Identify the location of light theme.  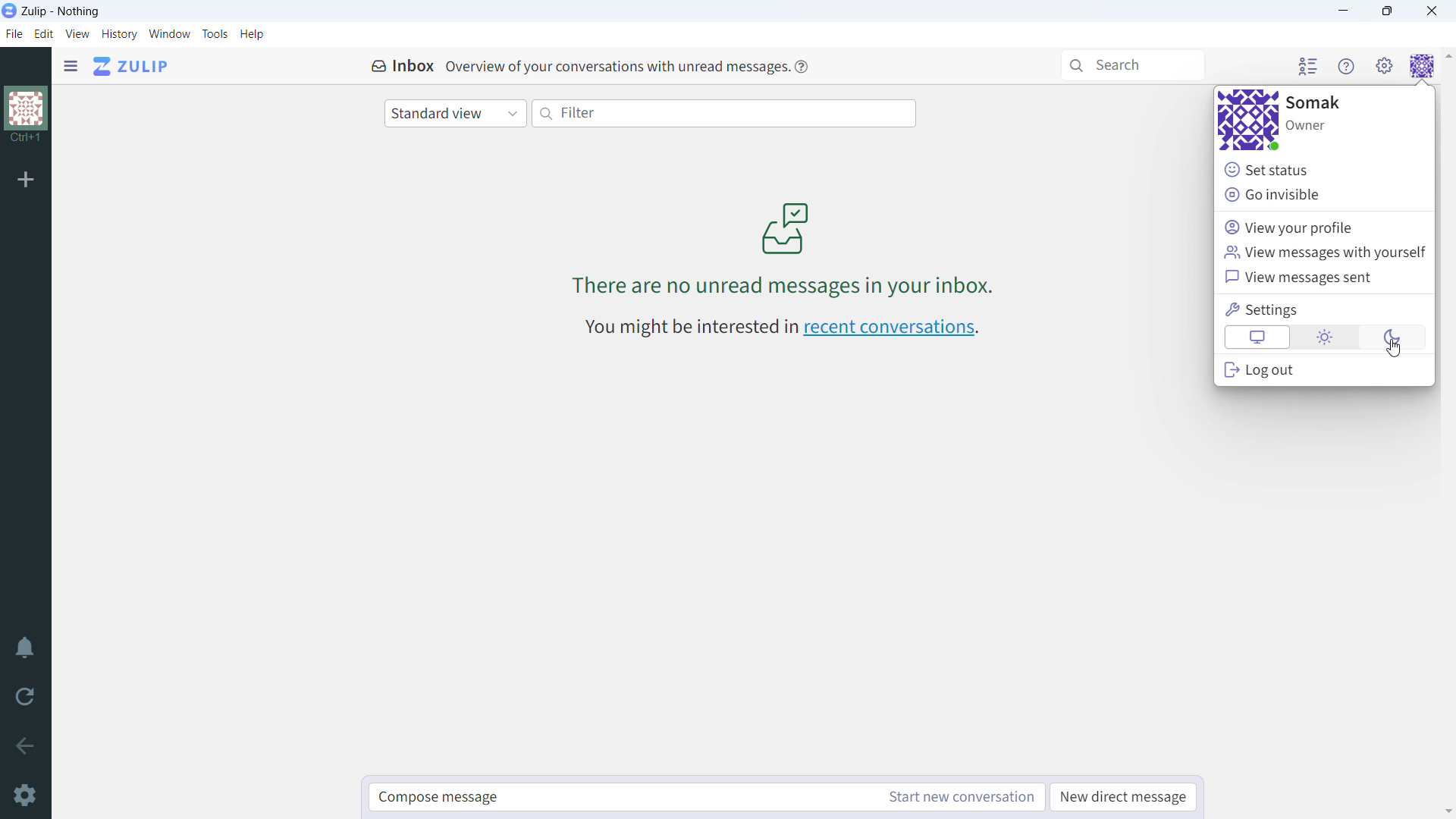
(1327, 337).